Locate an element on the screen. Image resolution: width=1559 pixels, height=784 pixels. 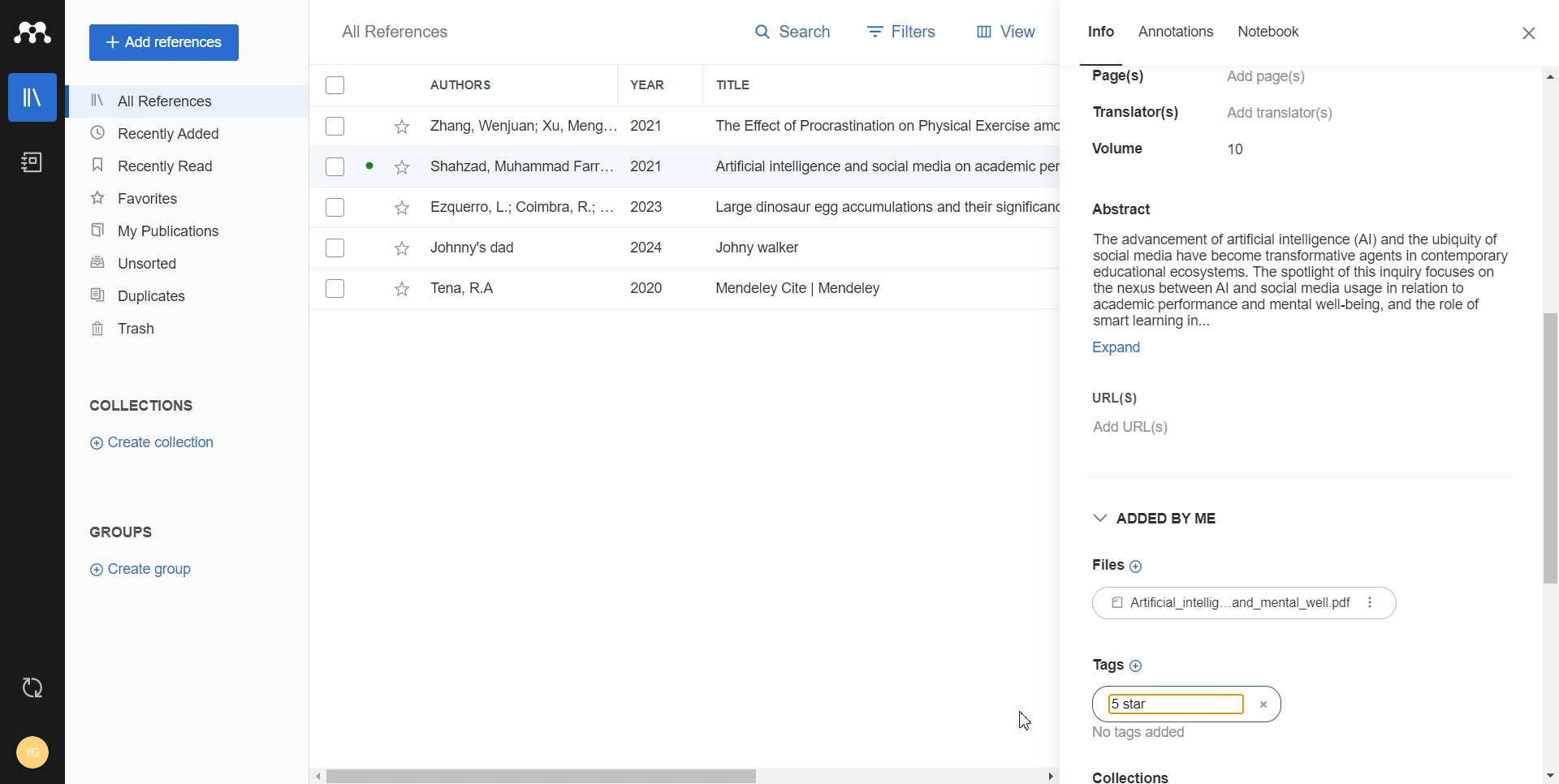
Info is located at coordinates (1101, 41).